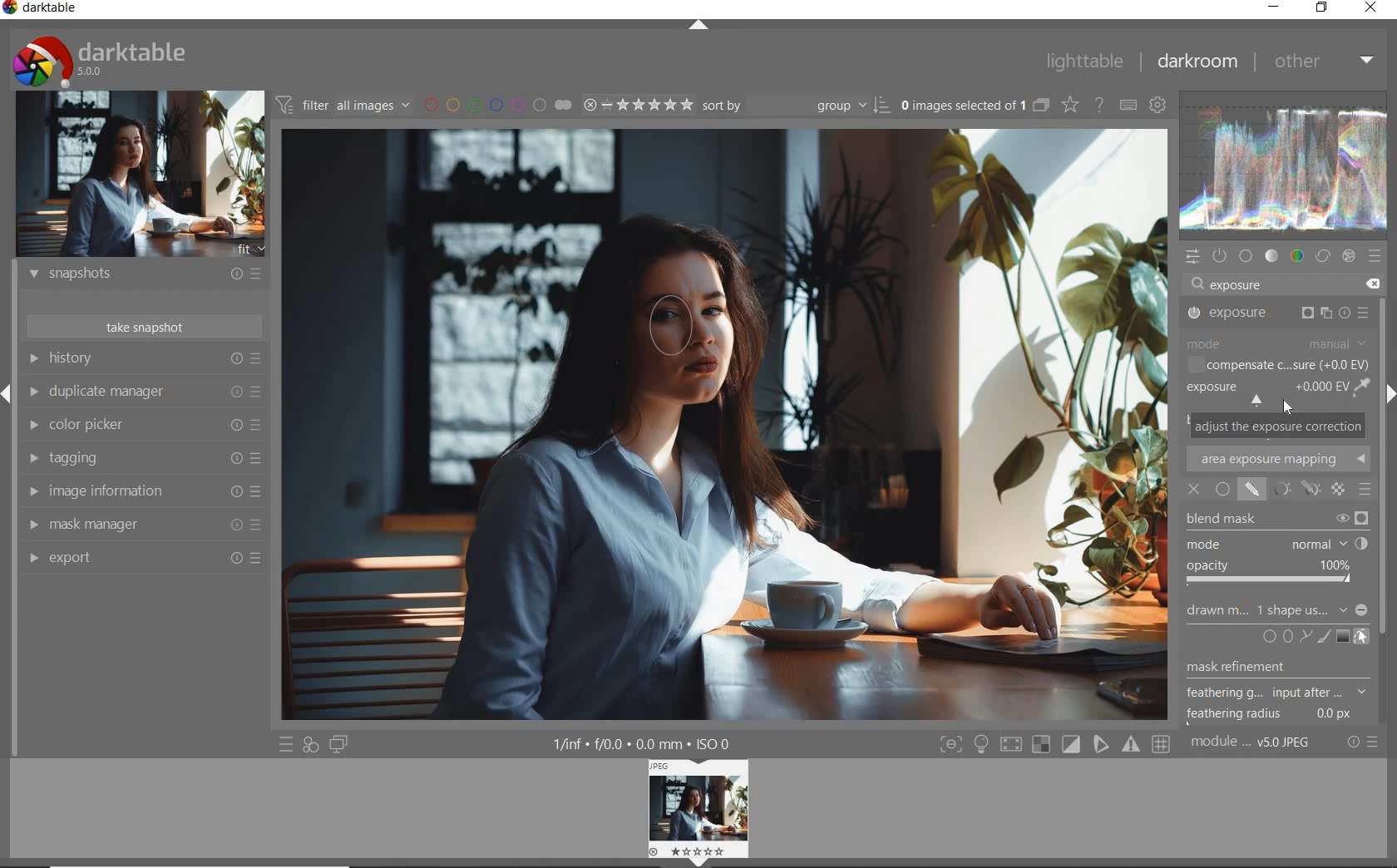 Image resolution: width=1397 pixels, height=868 pixels. What do you see at coordinates (1286, 169) in the screenshot?
I see `waveform` at bounding box center [1286, 169].